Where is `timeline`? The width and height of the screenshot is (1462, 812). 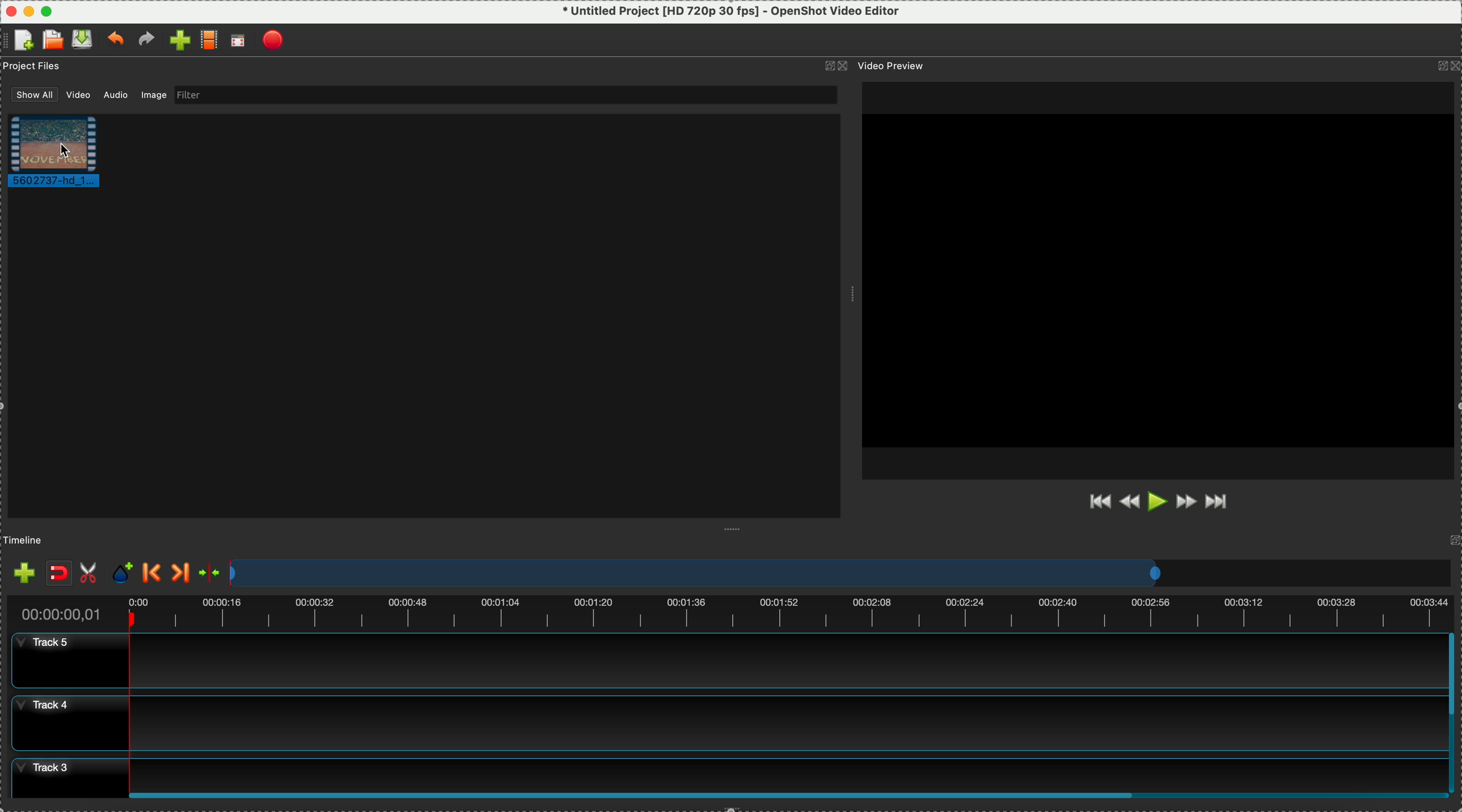 timeline is located at coordinates (27, 539).